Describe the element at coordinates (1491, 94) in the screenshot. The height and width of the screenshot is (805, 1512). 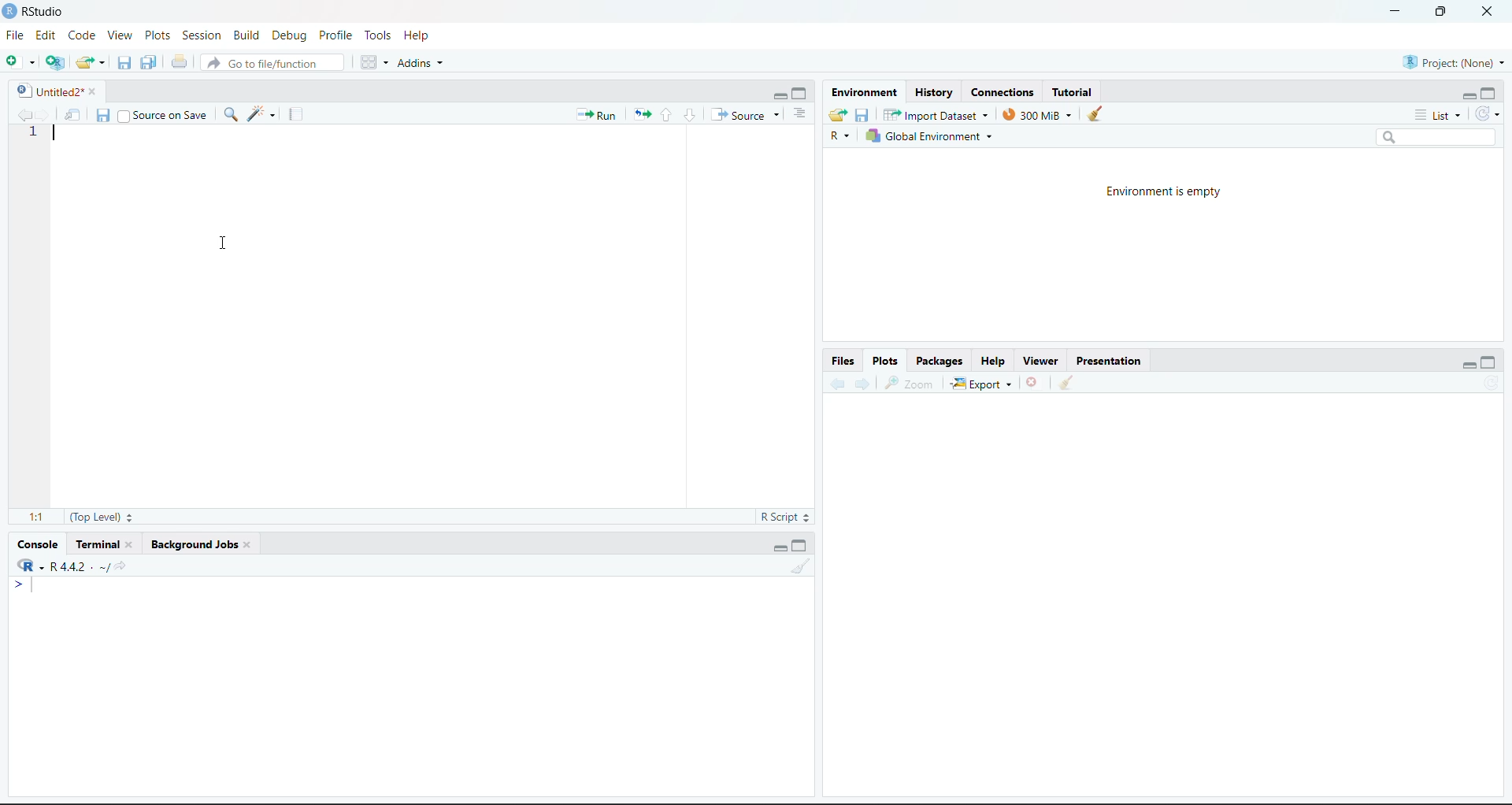
I see `hide console` at that location.